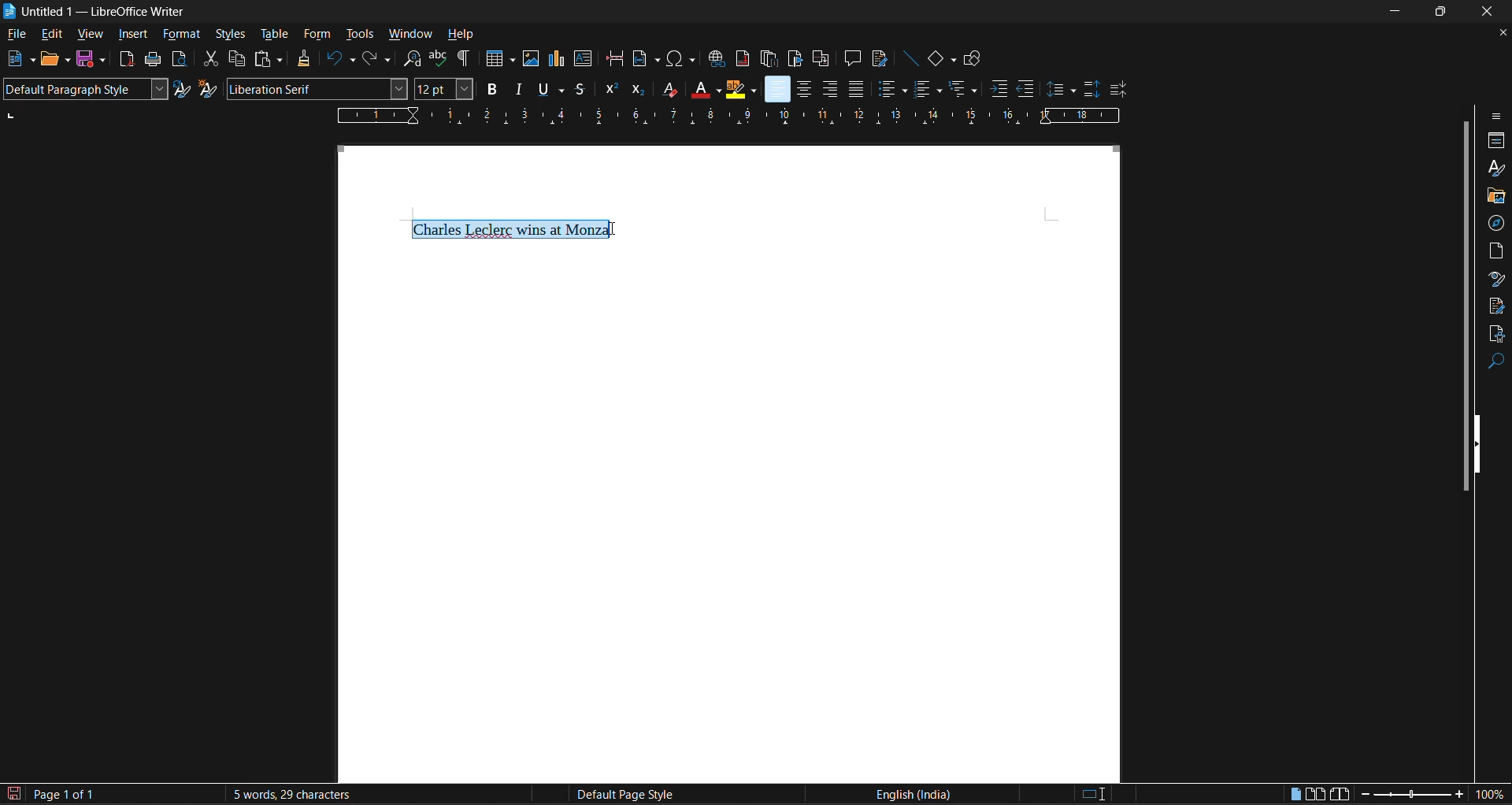 Image resolution: width=1512 pixels, height=805 pixels. Describe the element at coordinates (513, 229) in the screenshot. I see `selected text` at that location.